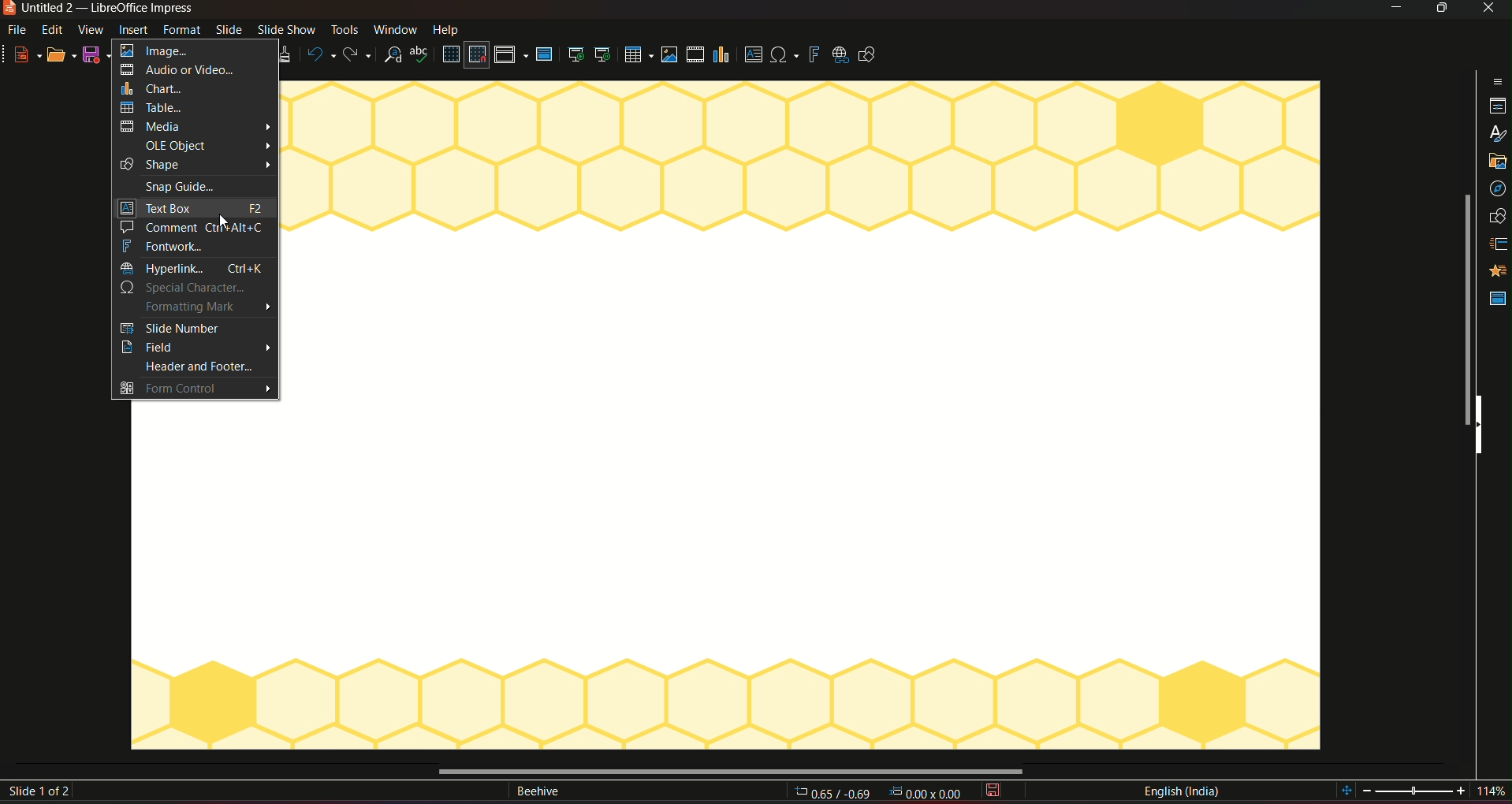  I want to click on special character, so click(191, 288).